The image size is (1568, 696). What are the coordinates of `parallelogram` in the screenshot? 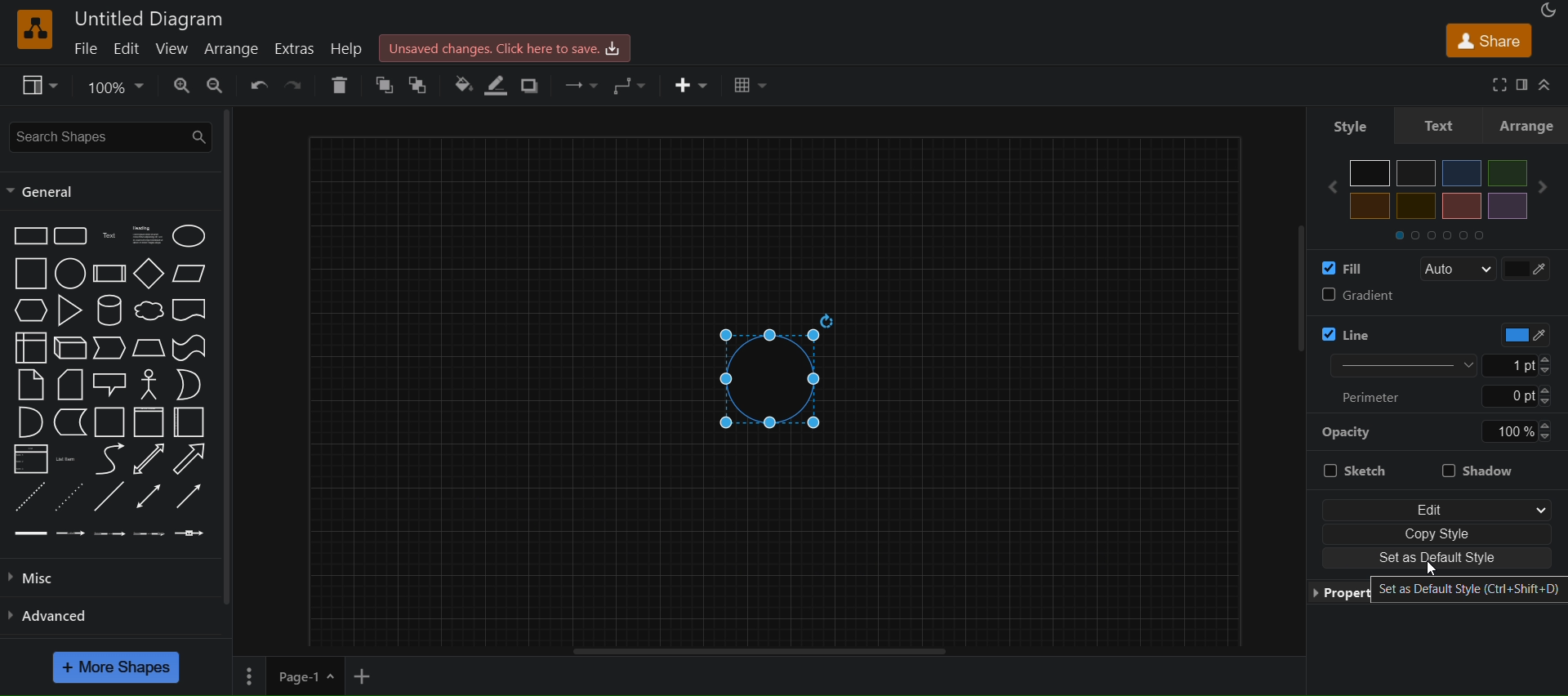 It's located at (193, 273).